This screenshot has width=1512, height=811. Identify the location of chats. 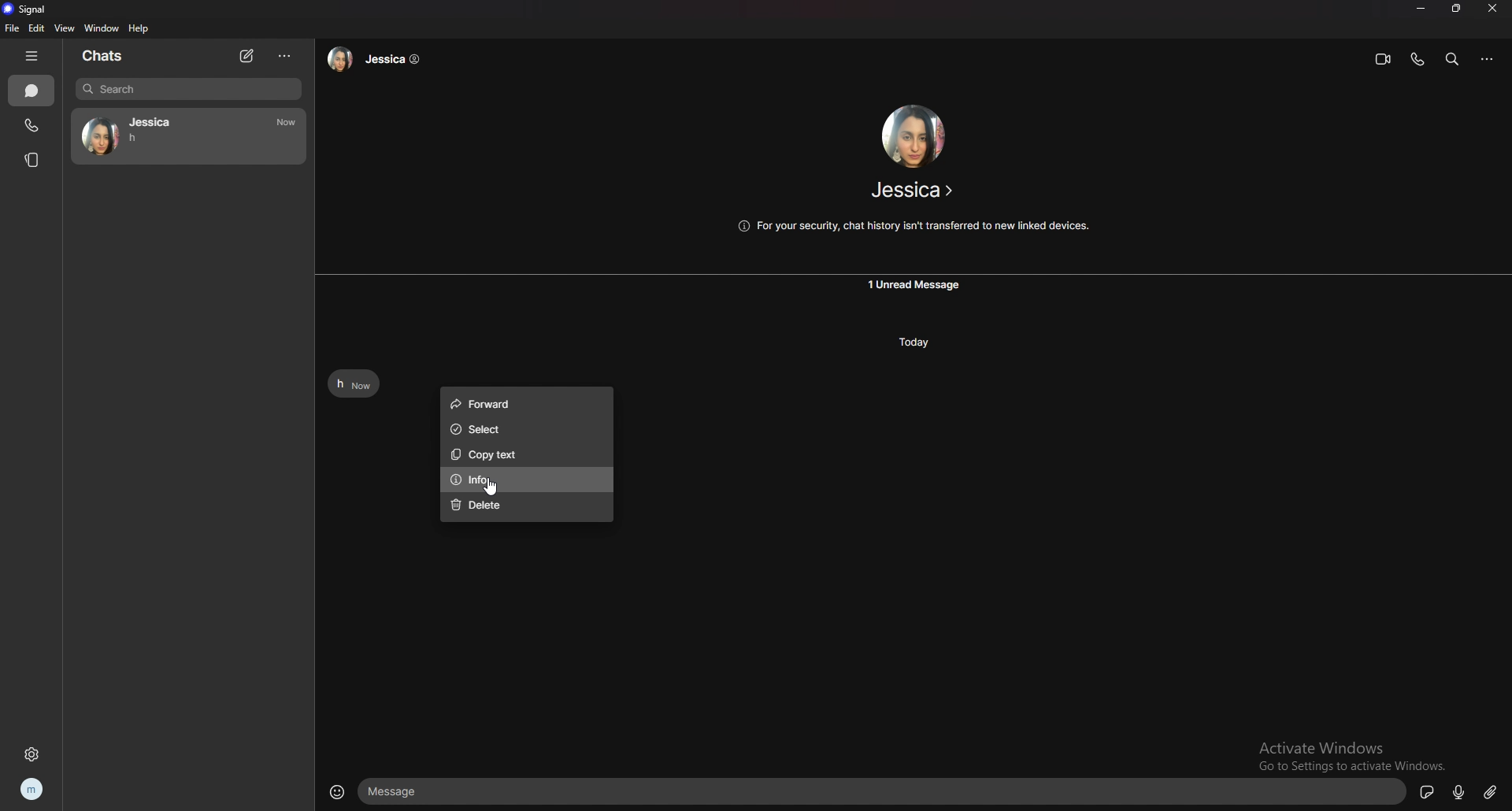
(106, 57).